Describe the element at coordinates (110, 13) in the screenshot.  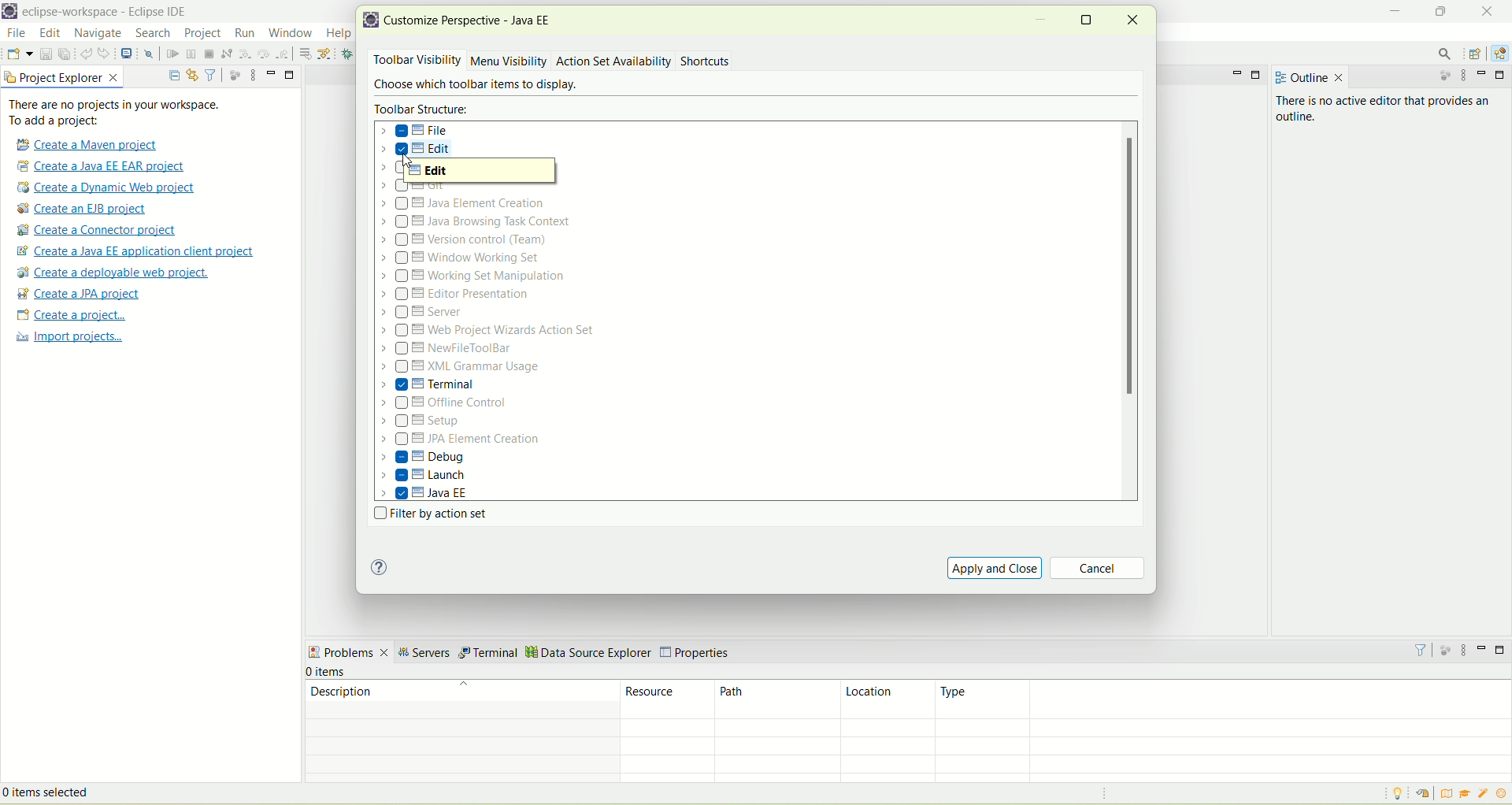
I see `eclipse workspace-Eclipse IDE` at that location.